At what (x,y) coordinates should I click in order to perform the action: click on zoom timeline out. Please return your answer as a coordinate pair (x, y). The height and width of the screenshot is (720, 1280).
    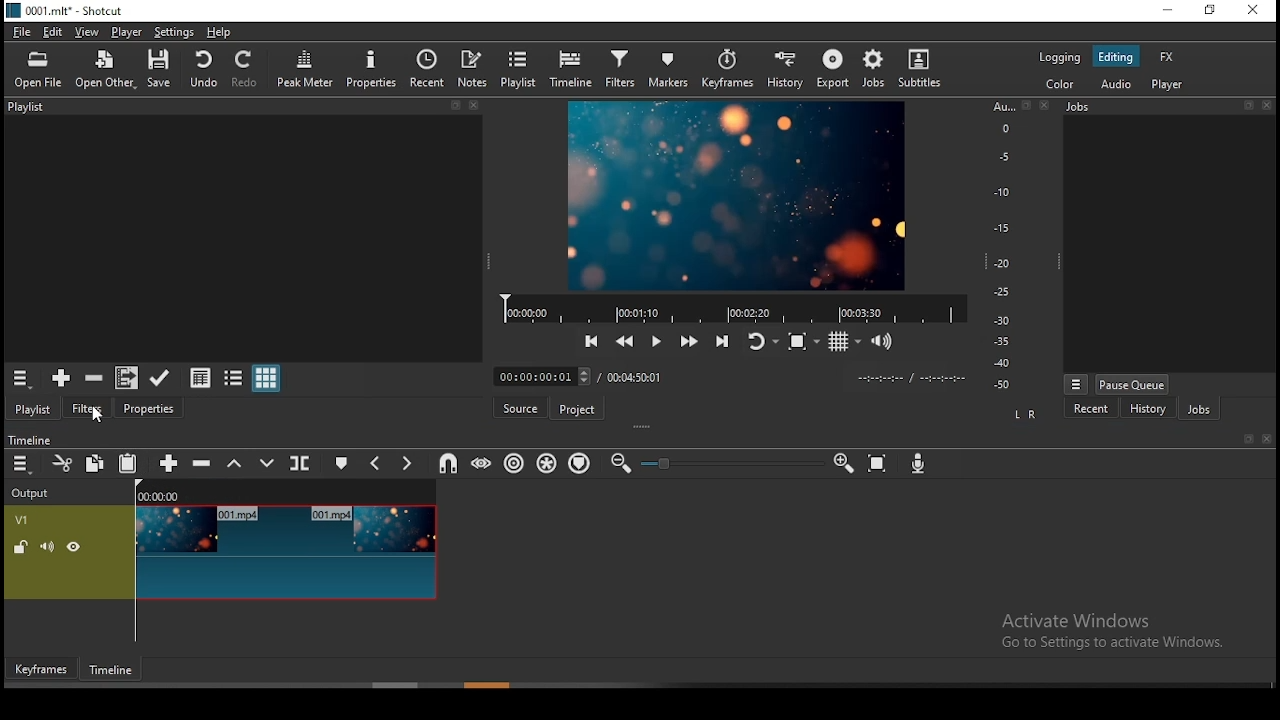
    Looking at the image, I should click on (620, 464).